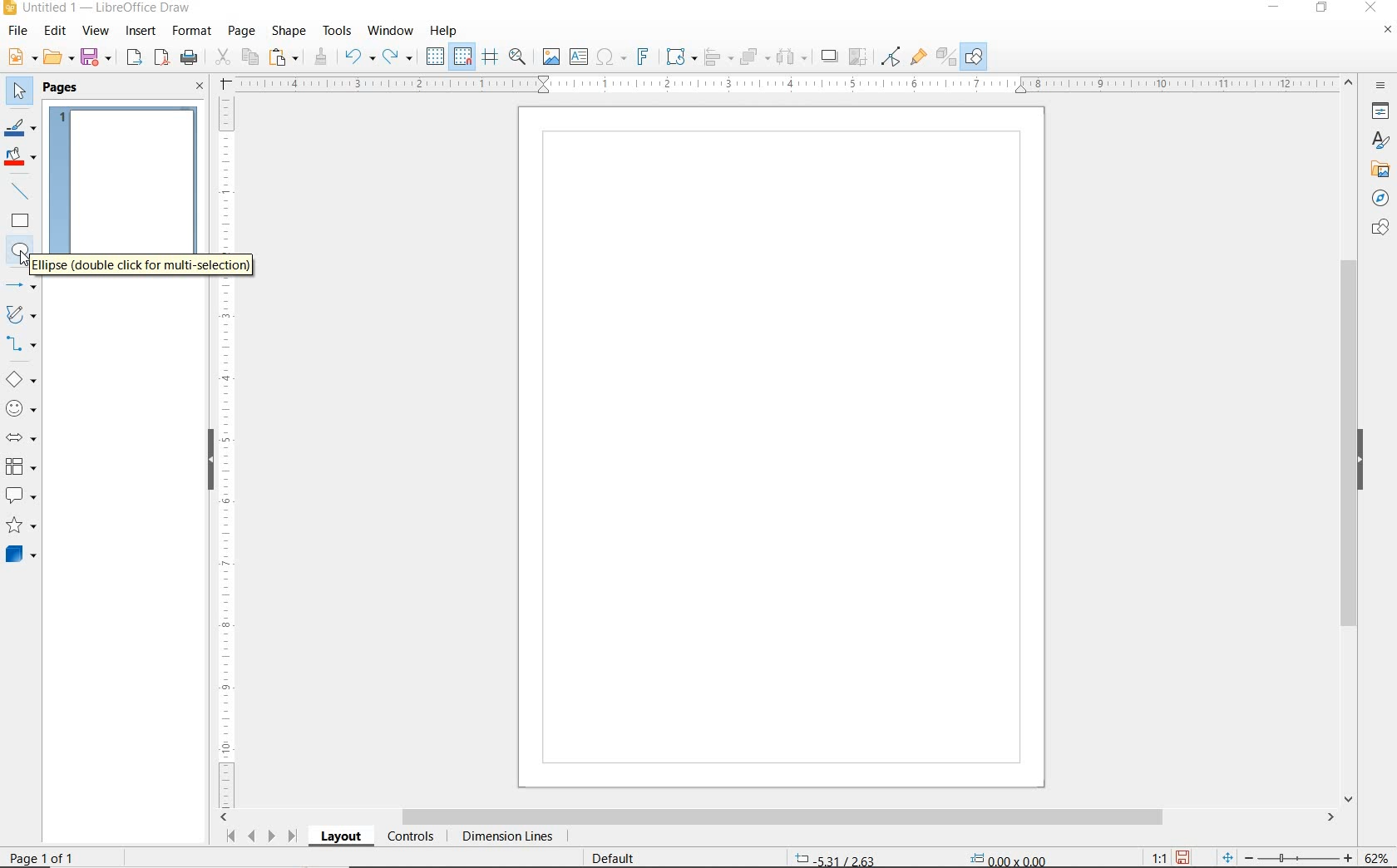 Image resolution: width=1397 pixels, height=868 pixels. What do you see at coordinates (21, 527) in the screenshot?
I see `STARS AND BANNERS` at bounding box center [21, 527].